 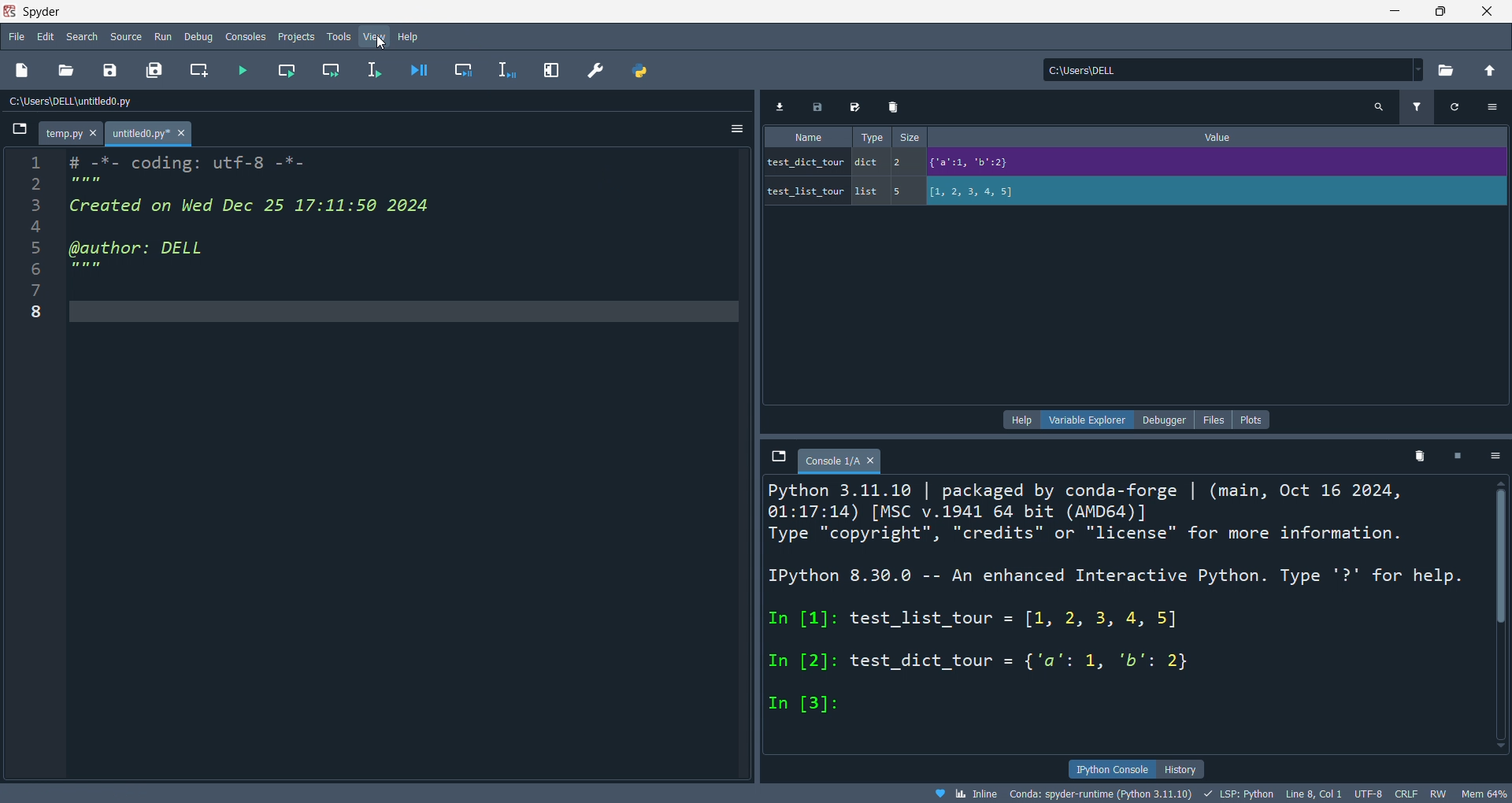 I want to click on edit, so click(x=46, y=36).